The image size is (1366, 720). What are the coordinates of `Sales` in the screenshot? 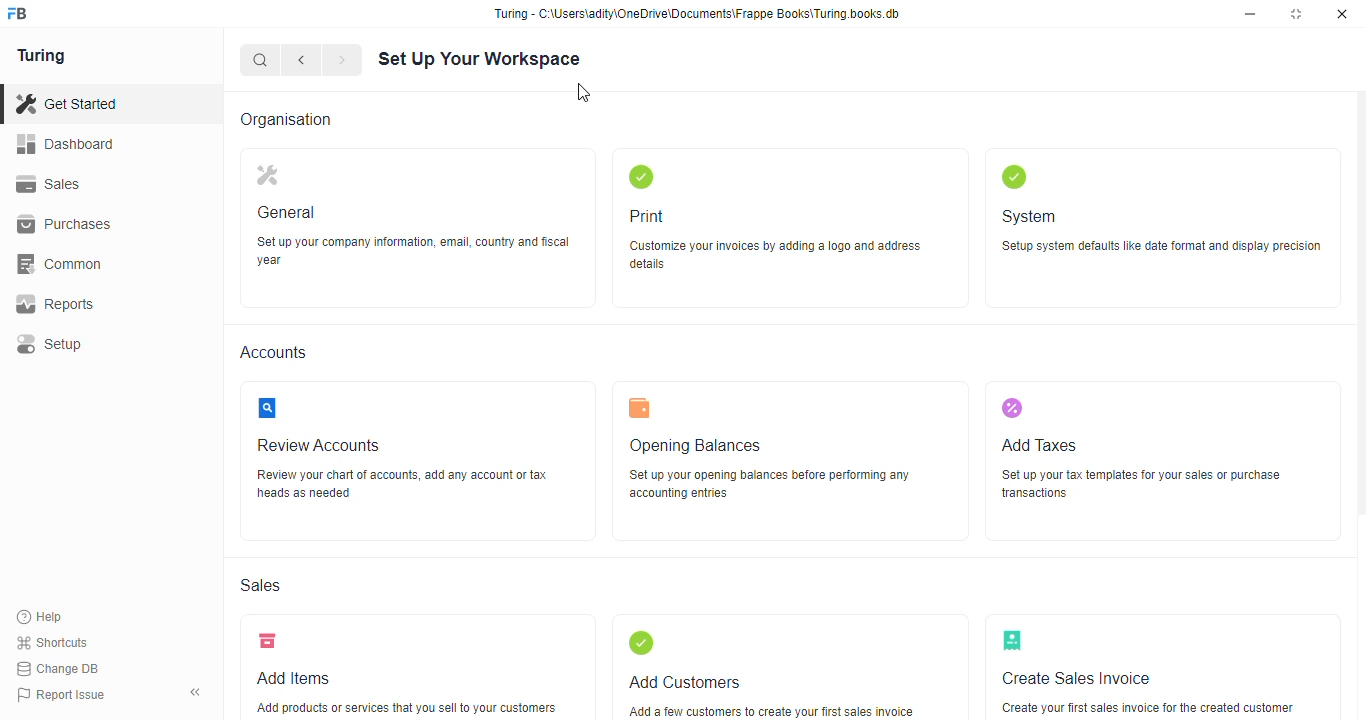 It's located at (267, 584).